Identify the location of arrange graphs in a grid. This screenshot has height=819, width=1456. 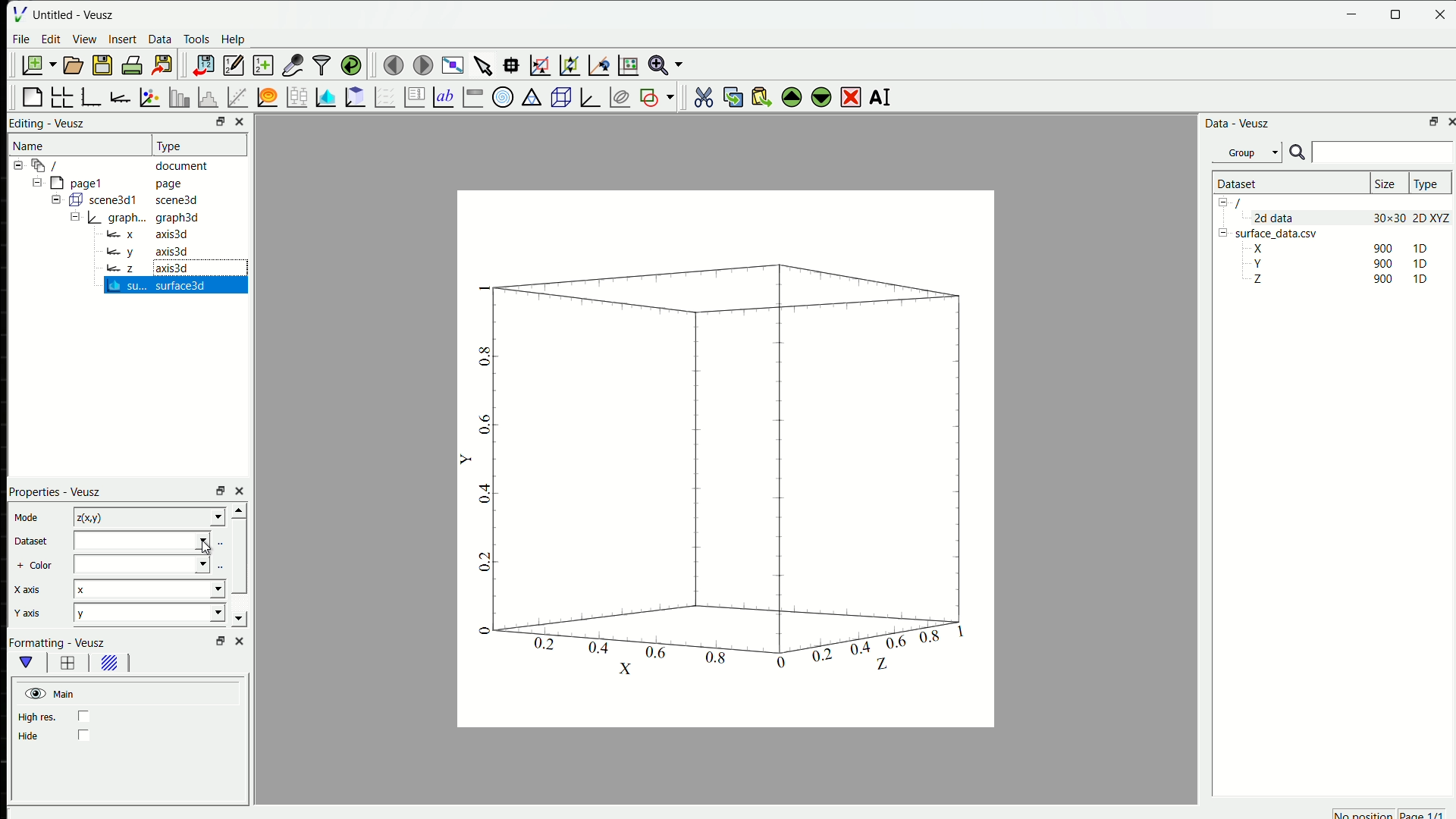
(63, 96).